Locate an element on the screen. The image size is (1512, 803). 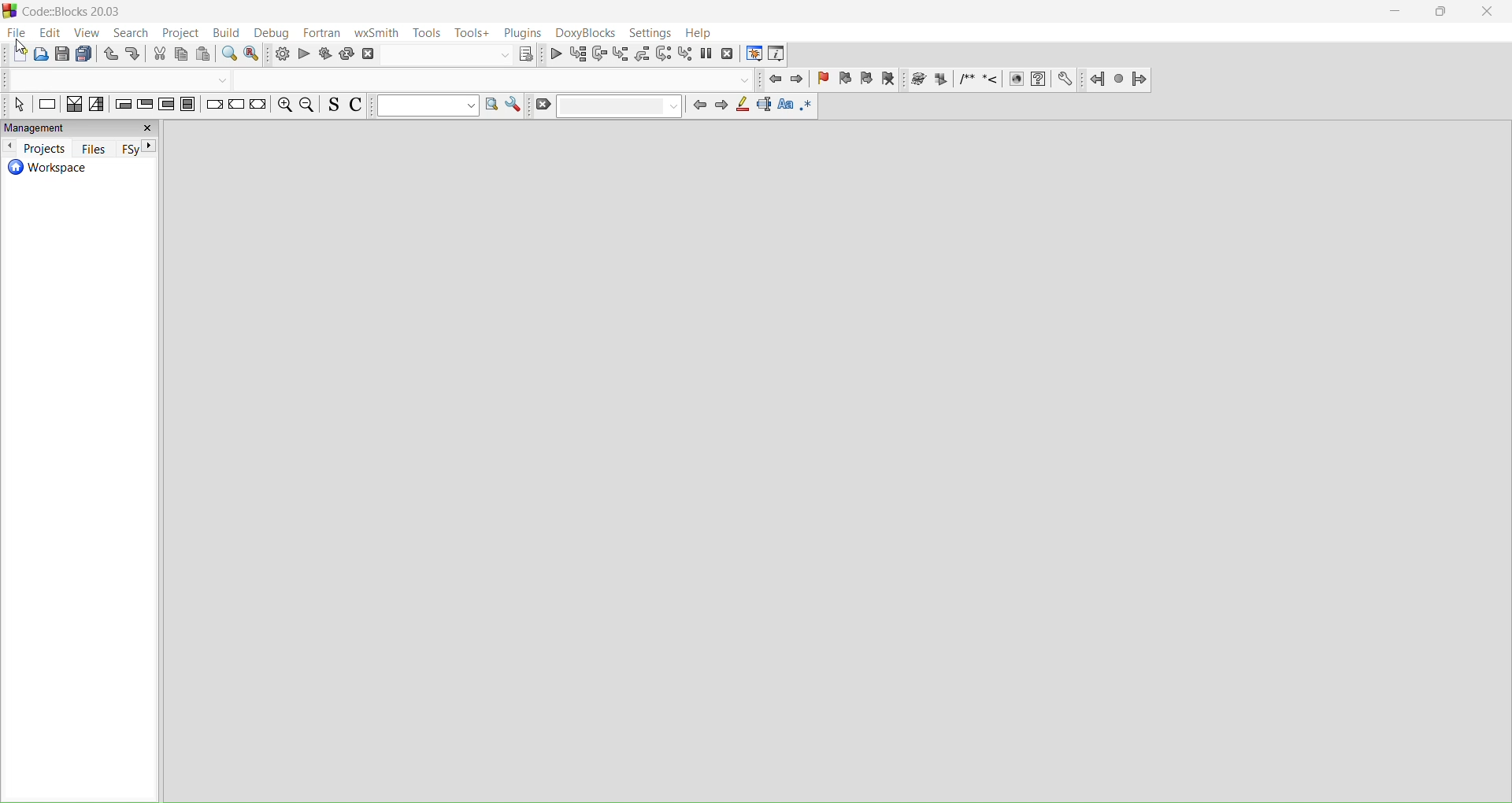
fortran is located at coordinates (323, 34).